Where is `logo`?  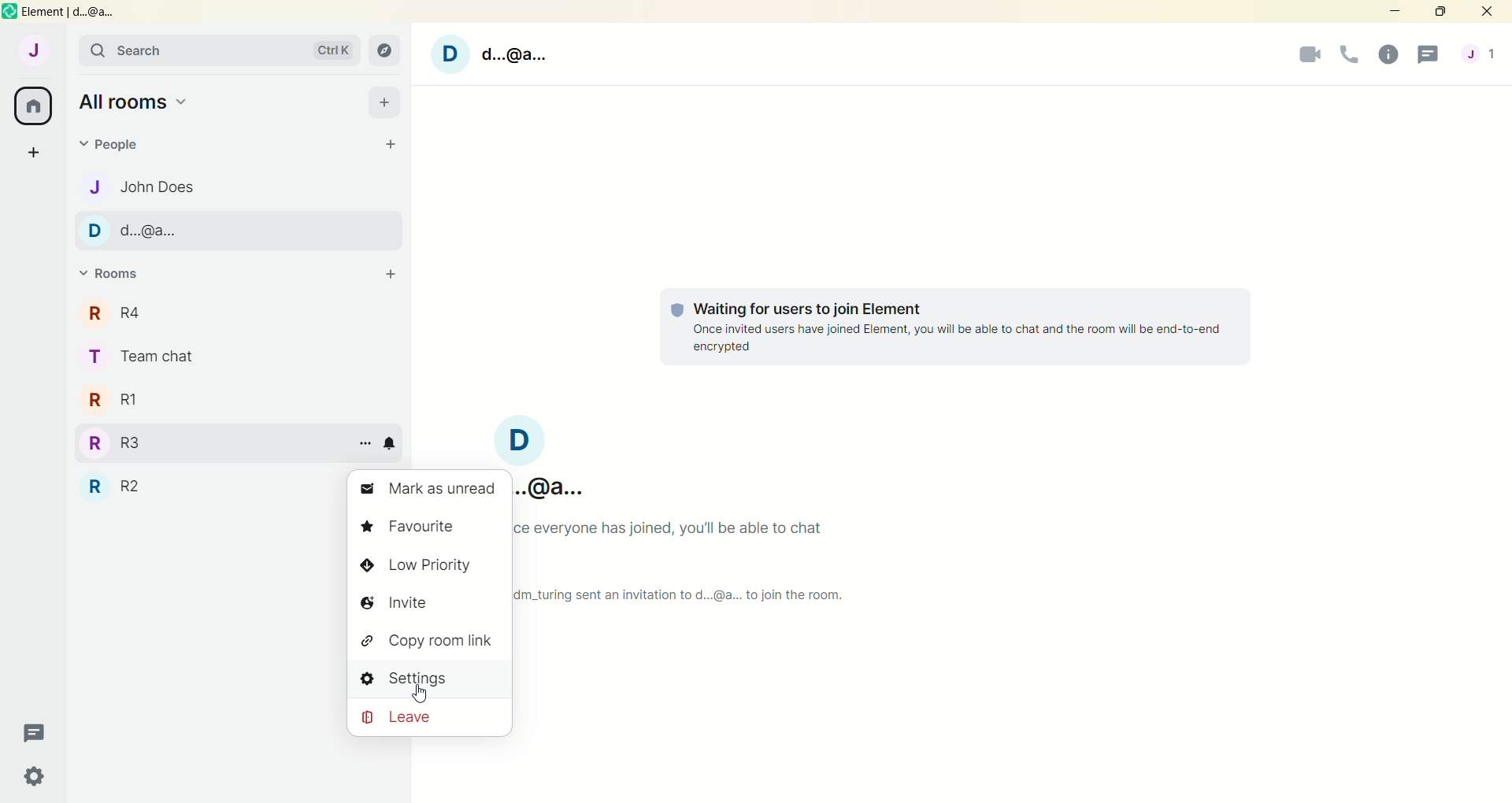 logo is located at coordinates (10, 12).